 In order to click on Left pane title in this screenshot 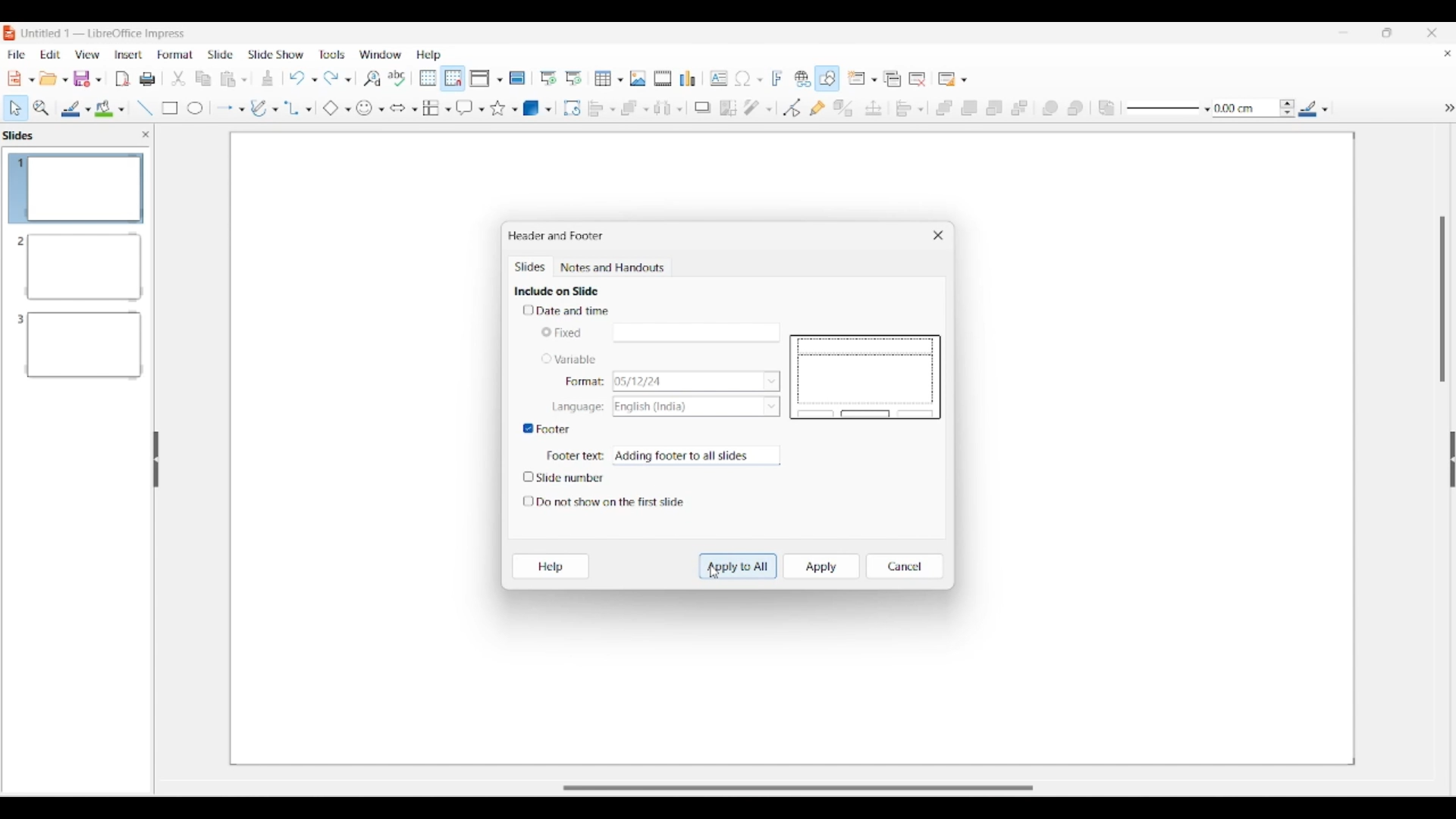, I will do `click(22, 135)`.